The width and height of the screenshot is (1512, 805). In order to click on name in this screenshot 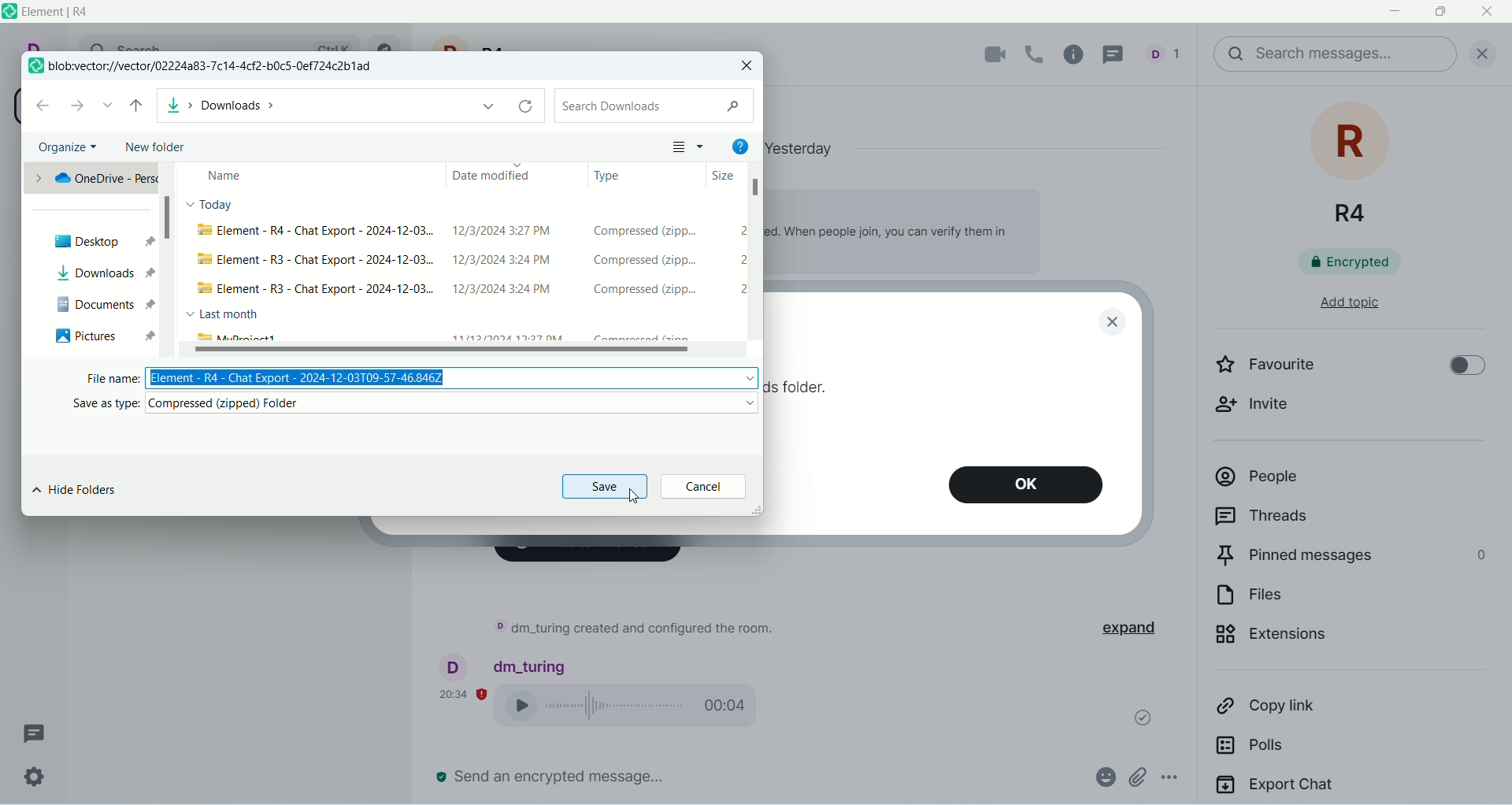, I will do `click(224, 178)`.